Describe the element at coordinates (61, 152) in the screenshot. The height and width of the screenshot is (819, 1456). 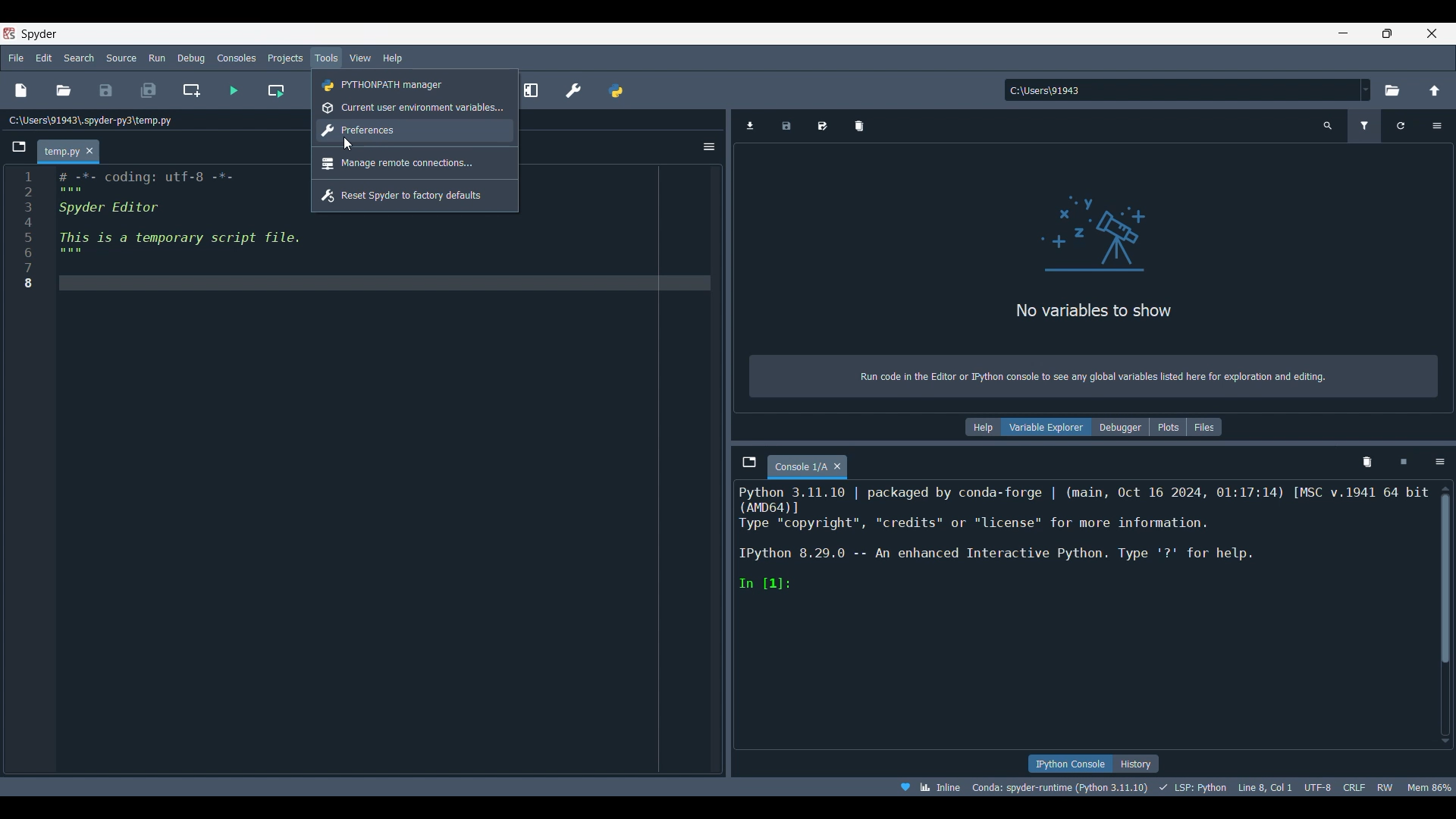
I see `Current tab highlighted` at that location.